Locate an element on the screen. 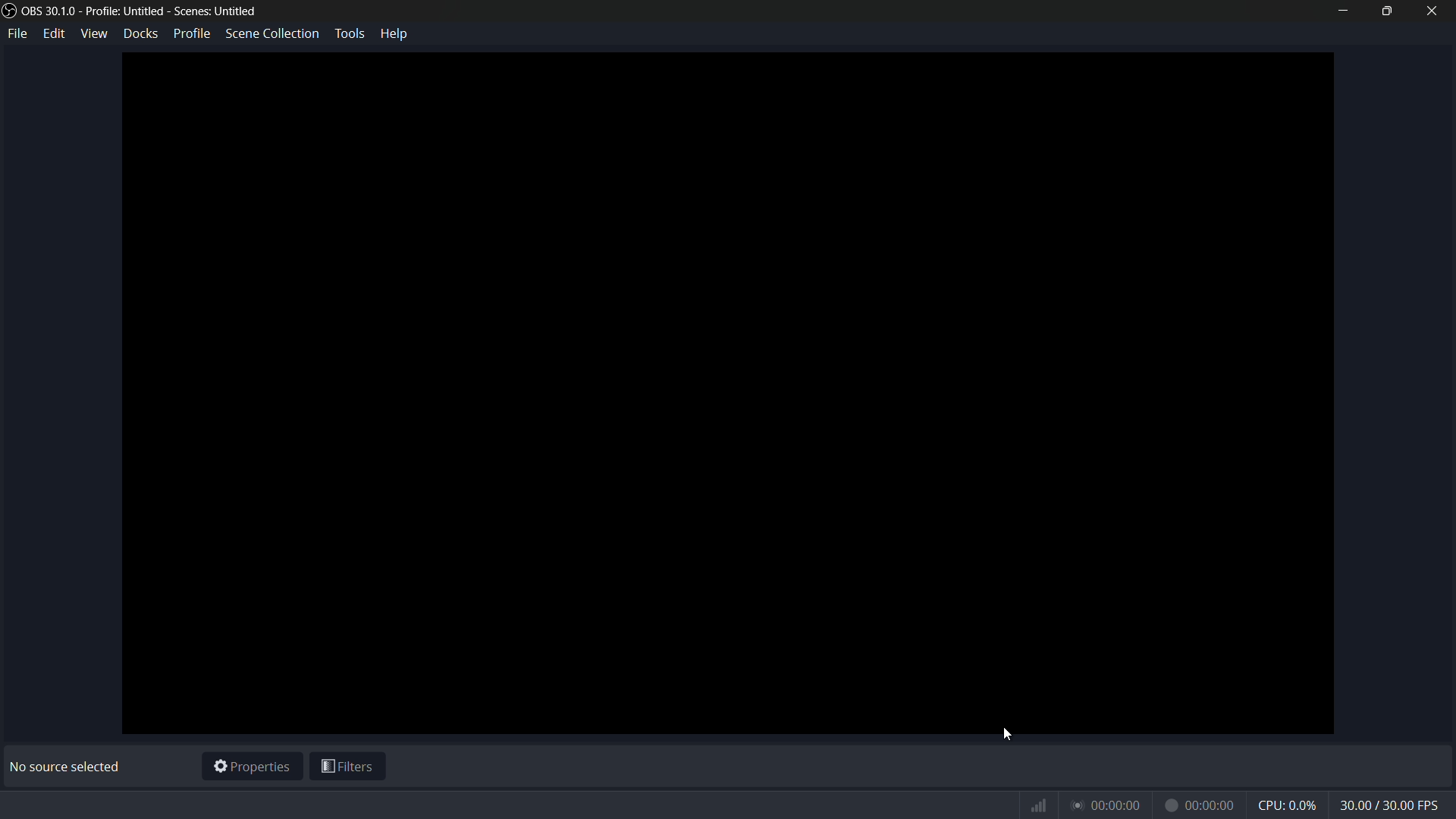 This screenshot has height=819, width=1456. properties is located at coordinates (252, 767).